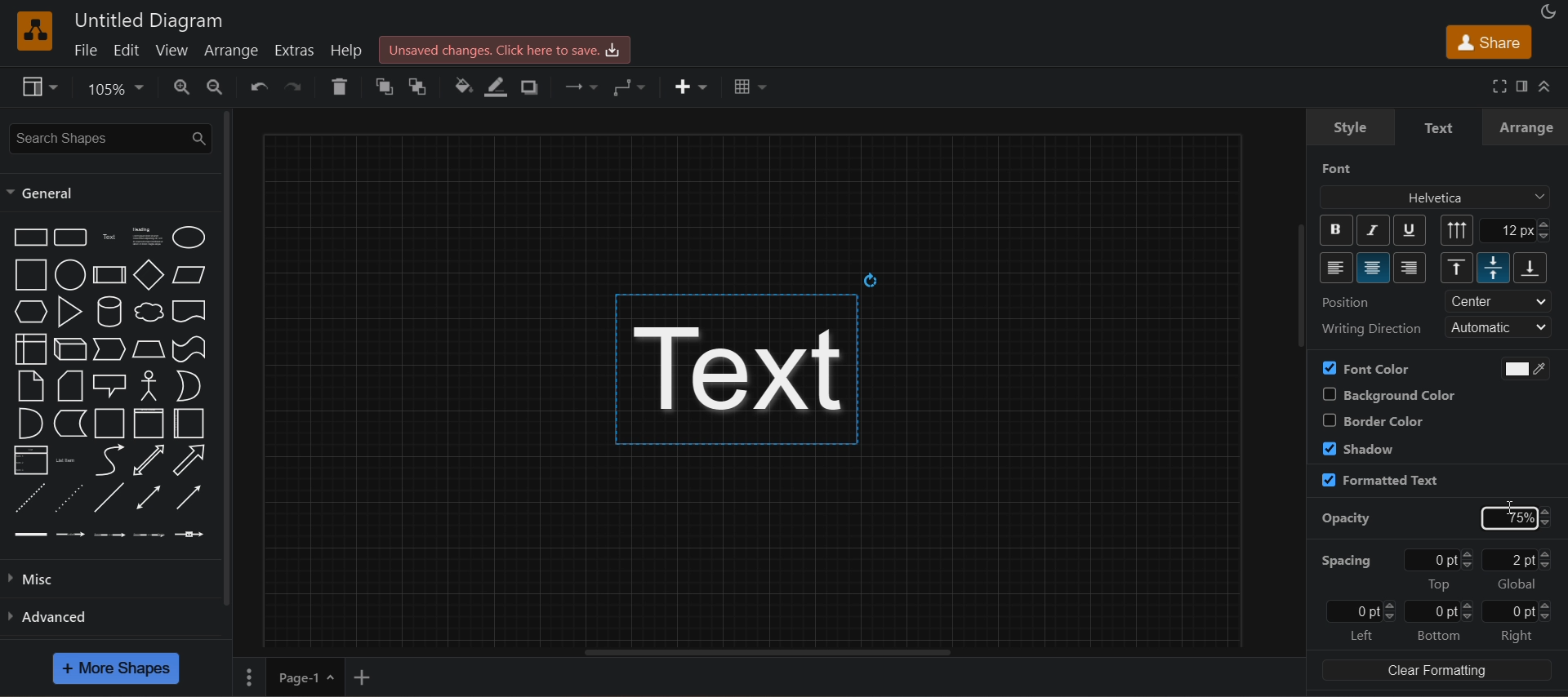 The height and width of the screenshot is (697, 1568). What do you see at coordinates (44, 193) in the screenshot?
I see `general` at bounding box center [44, 193].